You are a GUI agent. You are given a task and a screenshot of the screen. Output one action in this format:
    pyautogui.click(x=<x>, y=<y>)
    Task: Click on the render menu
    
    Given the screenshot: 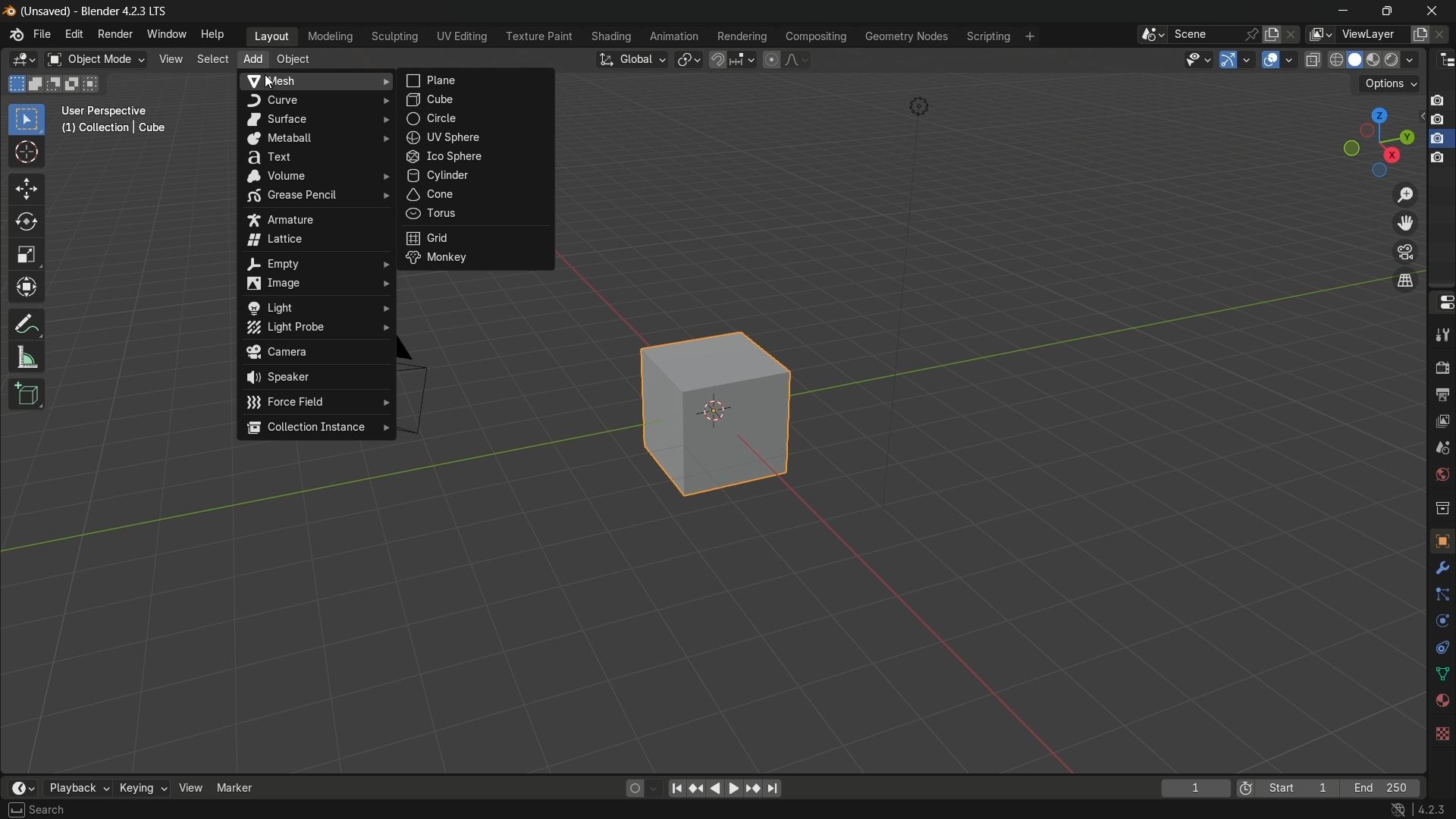 What is the action you would take?
    pyautogui.click(x=115, y=34)
    